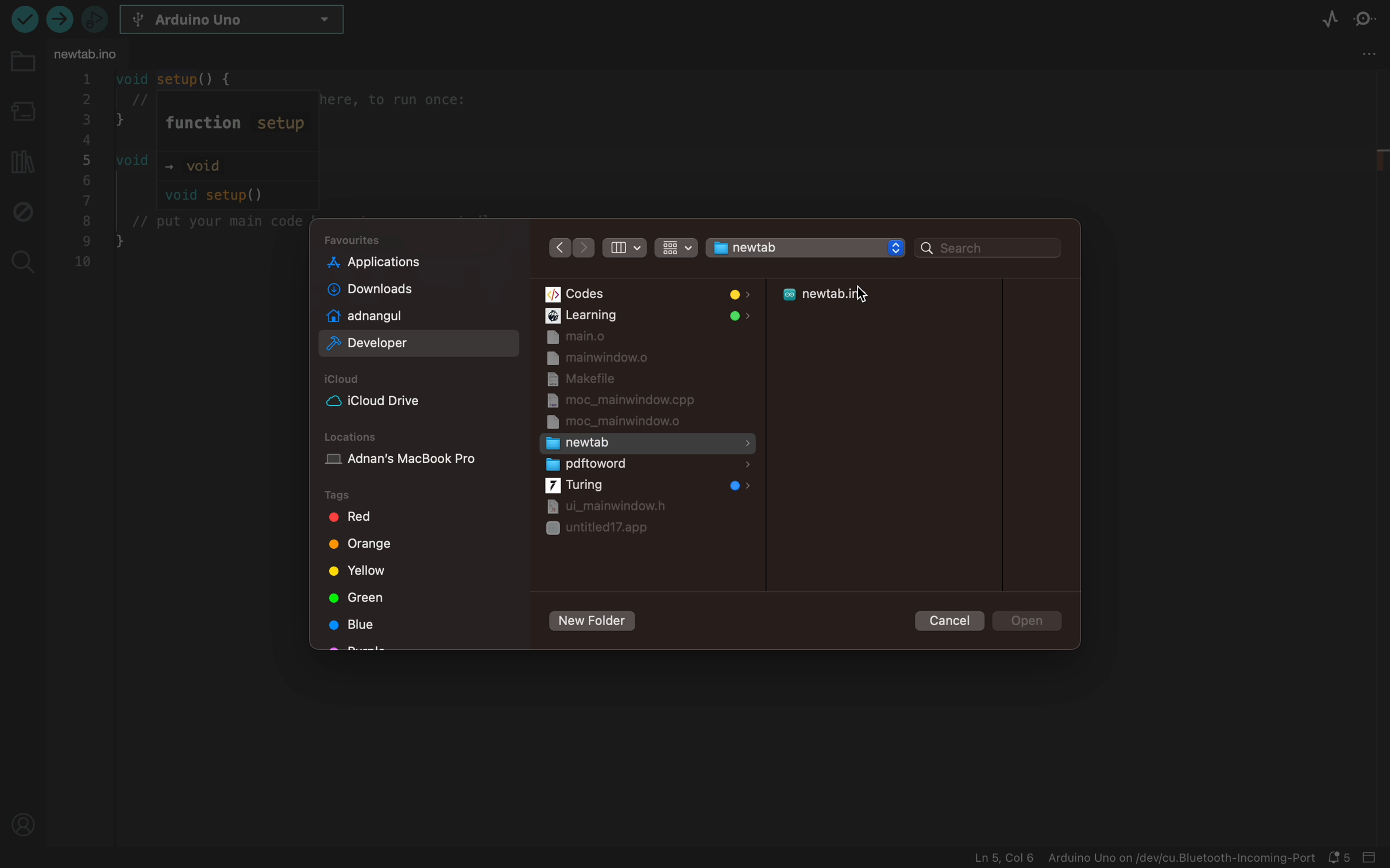  Describe the element at coordinates (874, 297) in the screenshot. I see `cursor` at that location.